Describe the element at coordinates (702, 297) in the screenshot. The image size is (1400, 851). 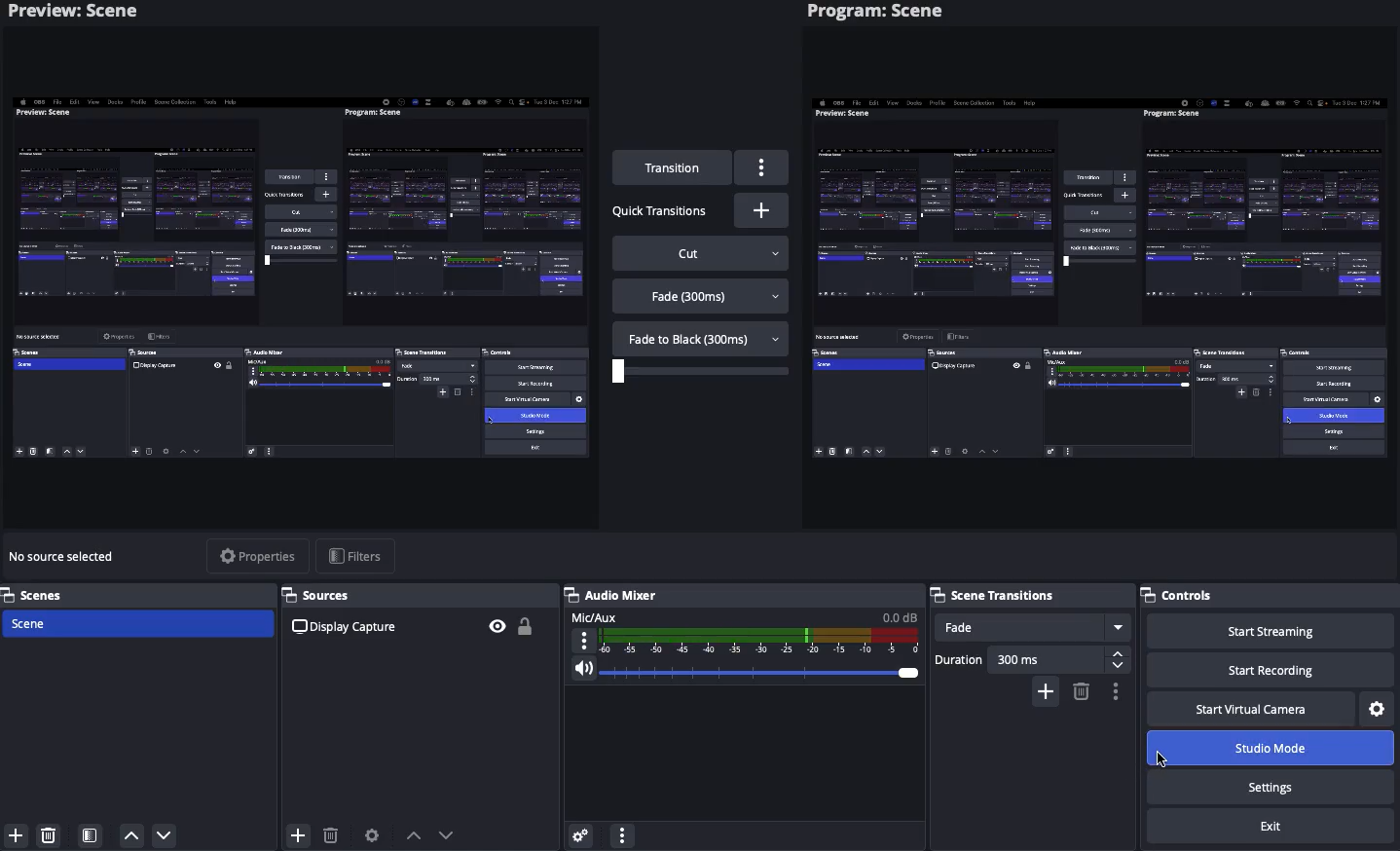
I see `Fade` at that location.